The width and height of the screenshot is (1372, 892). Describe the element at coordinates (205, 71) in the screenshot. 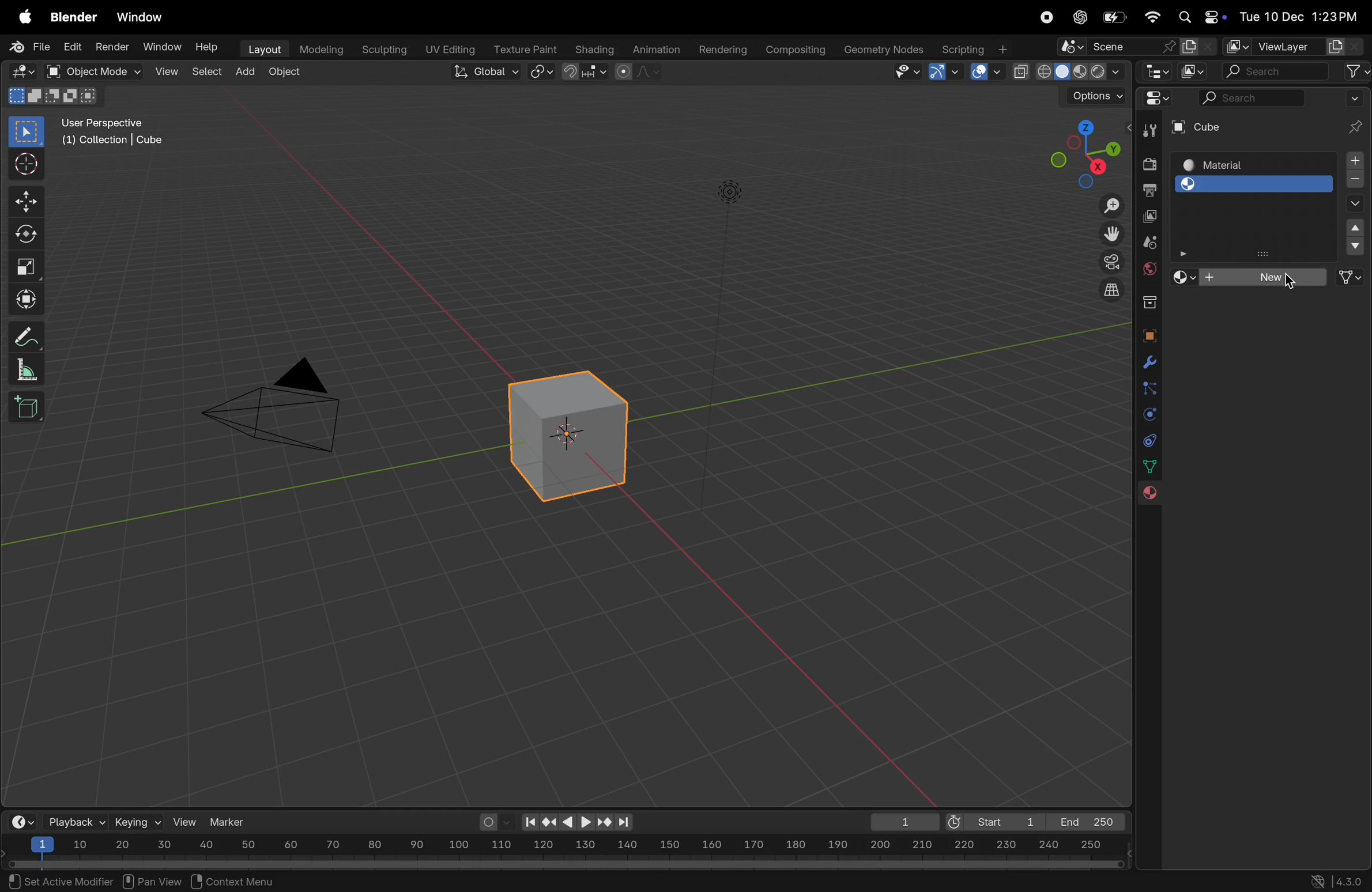

I see `select` at that location.